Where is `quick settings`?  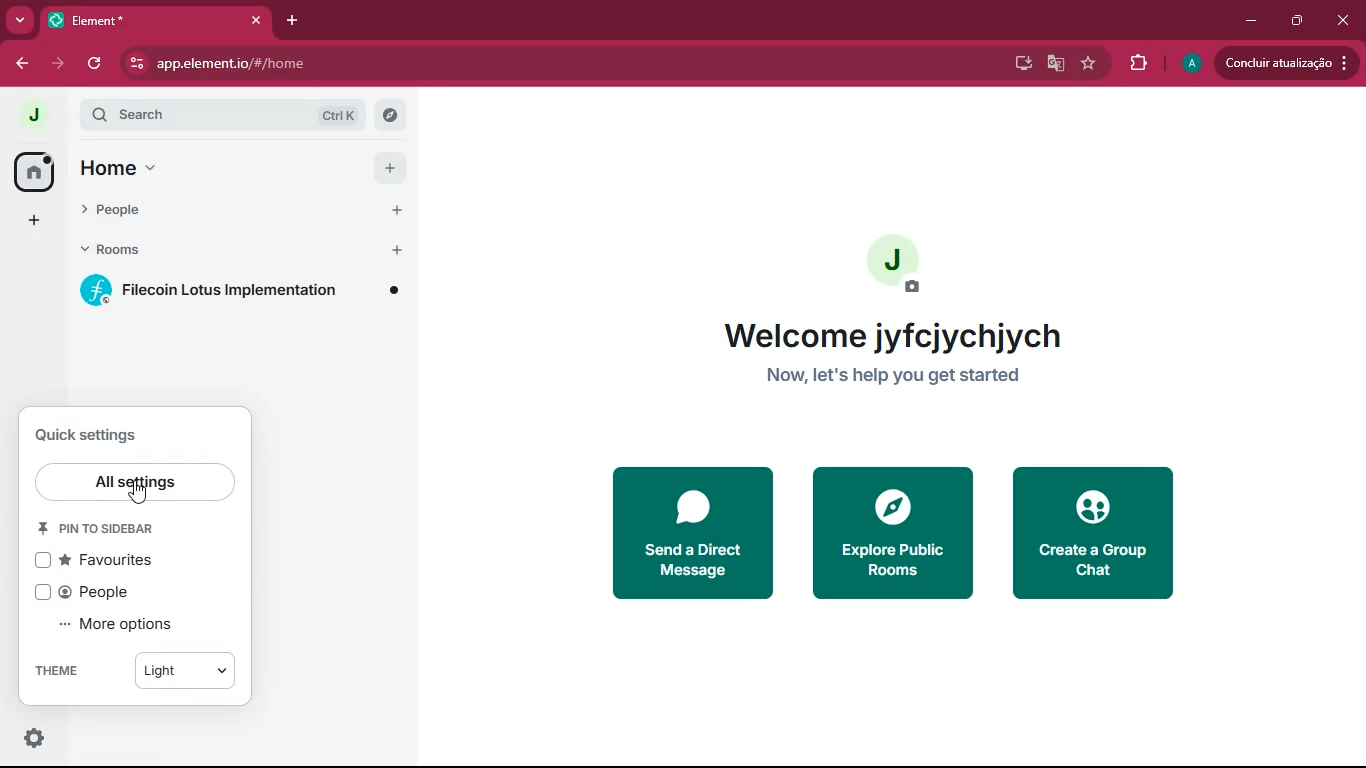
quick settings is located at coordinates (87, 435).